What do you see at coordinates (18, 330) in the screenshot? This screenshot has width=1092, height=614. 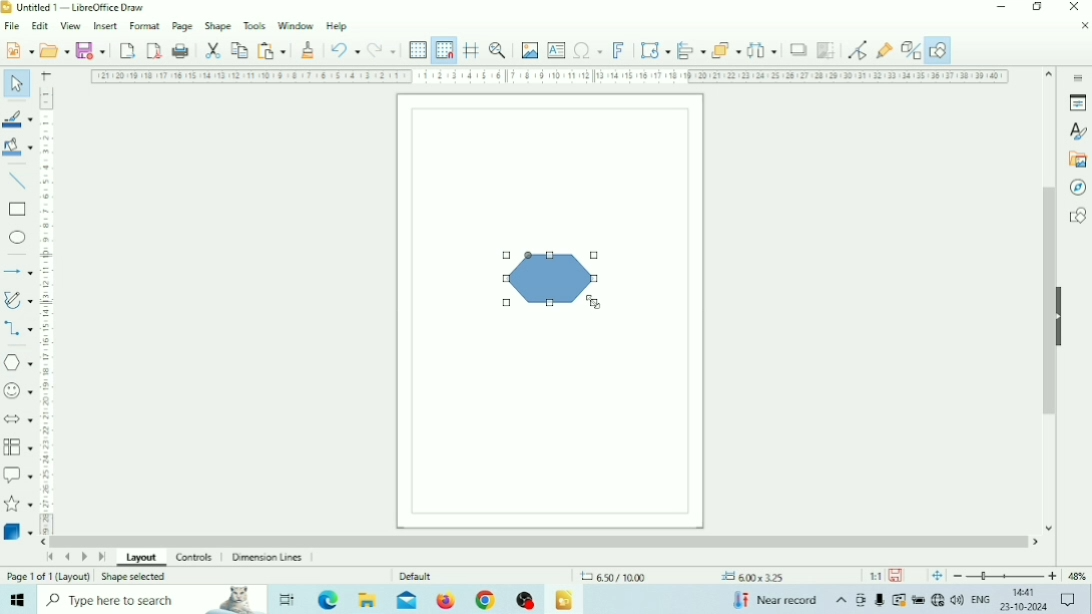 I see `Connectors` at bounding box center [18, 330].